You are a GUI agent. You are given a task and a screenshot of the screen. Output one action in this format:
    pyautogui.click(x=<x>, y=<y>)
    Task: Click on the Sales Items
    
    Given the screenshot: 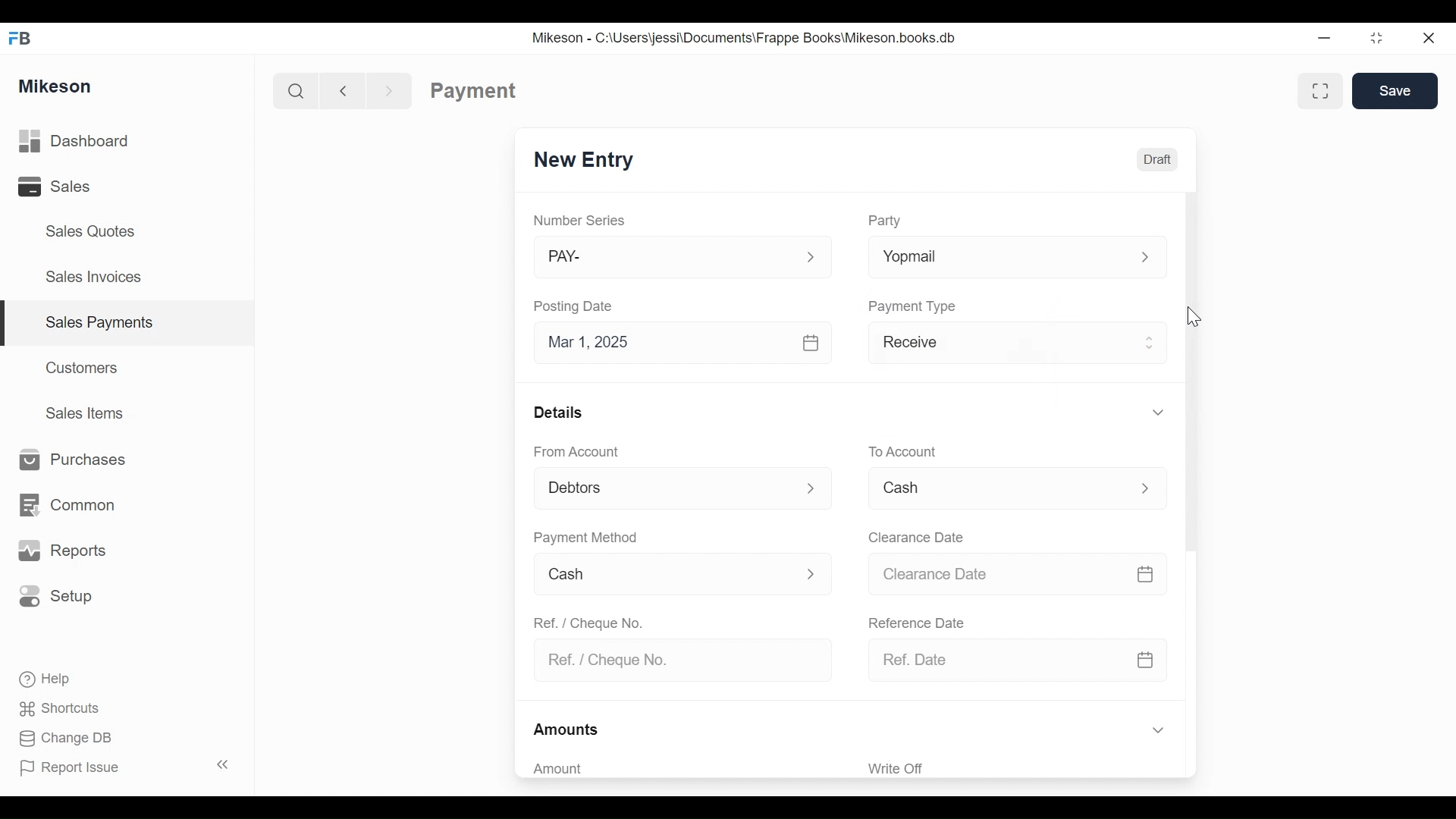 What is the action you would take?
    pyautogui.click(x=92, y=414)
    